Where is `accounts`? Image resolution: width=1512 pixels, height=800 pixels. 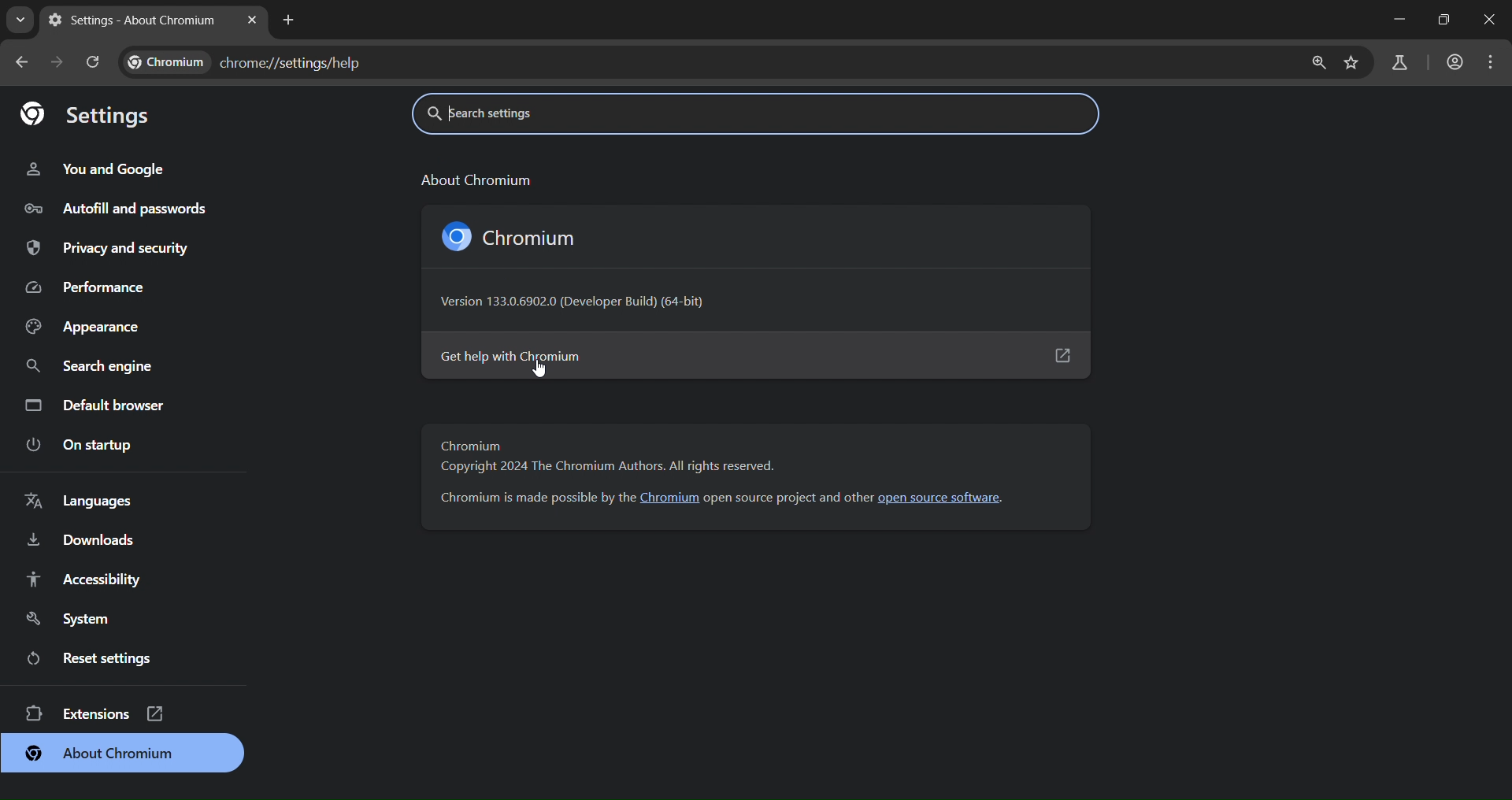 accounts is located at coordinates (1455, 61).